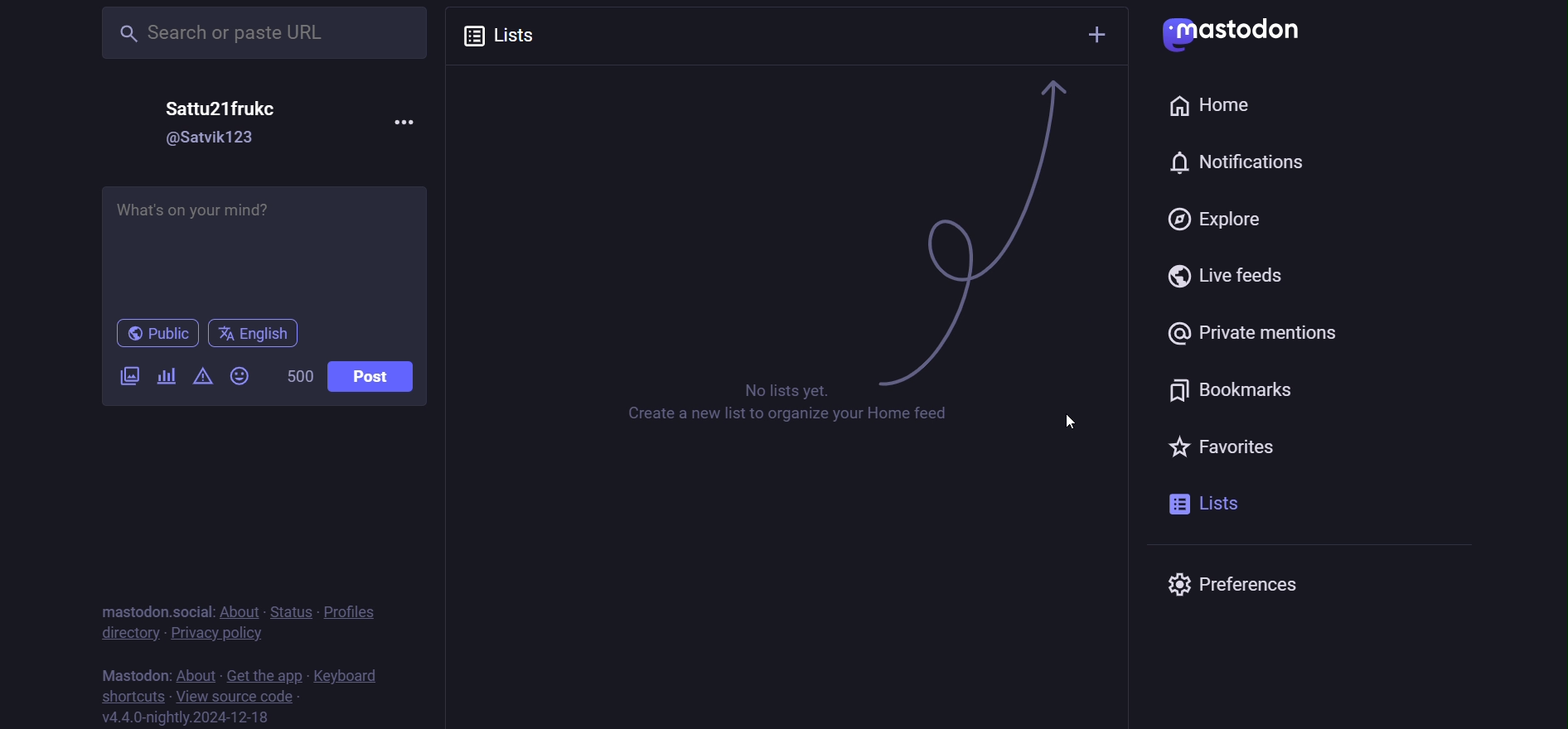 The image size is (1568, 729). What do you see at coordinates (254, 331) in the screenshot?
I see `english` at bounding box center [254, 331].